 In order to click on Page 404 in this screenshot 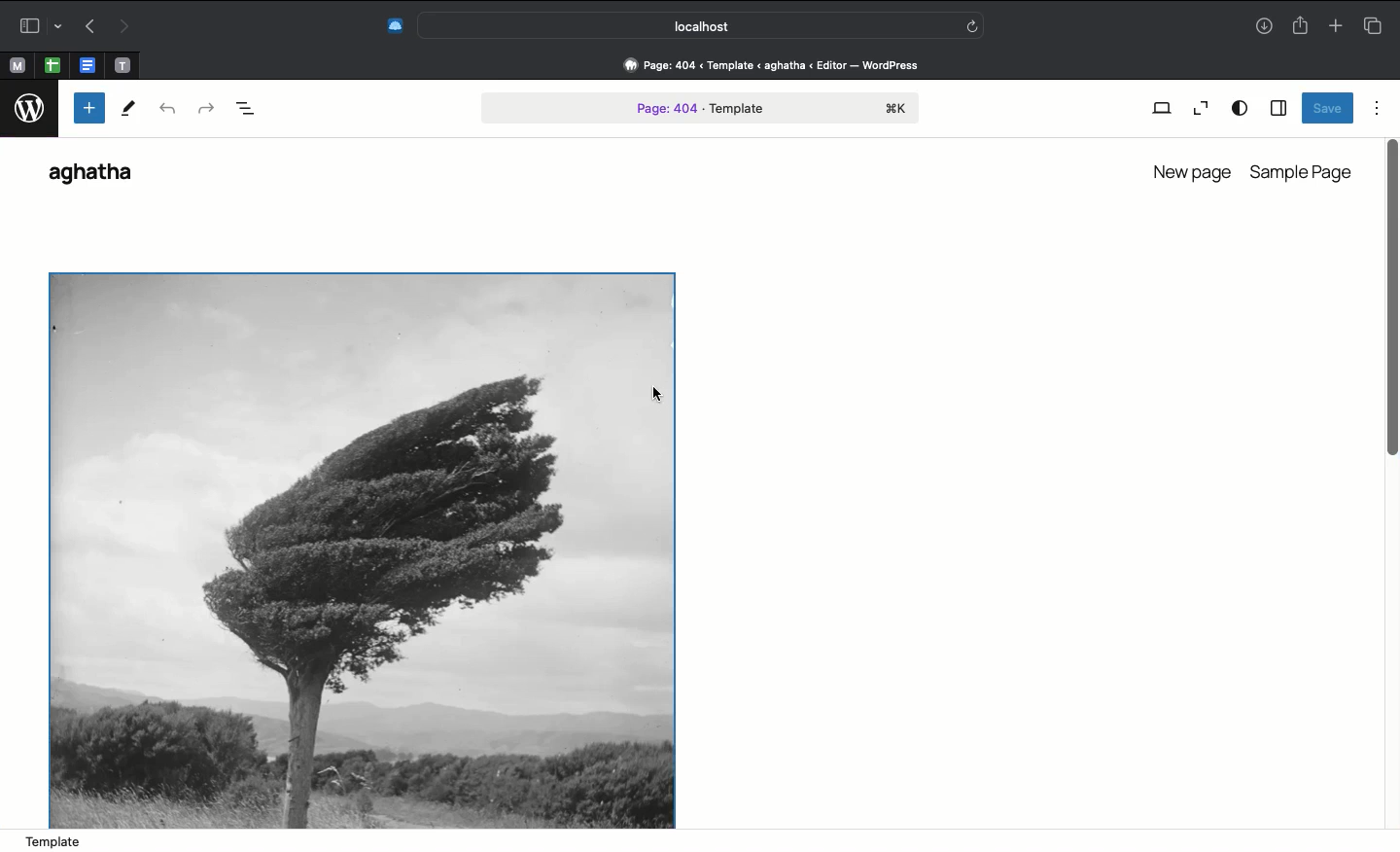, I will do `click(701, 110)`.